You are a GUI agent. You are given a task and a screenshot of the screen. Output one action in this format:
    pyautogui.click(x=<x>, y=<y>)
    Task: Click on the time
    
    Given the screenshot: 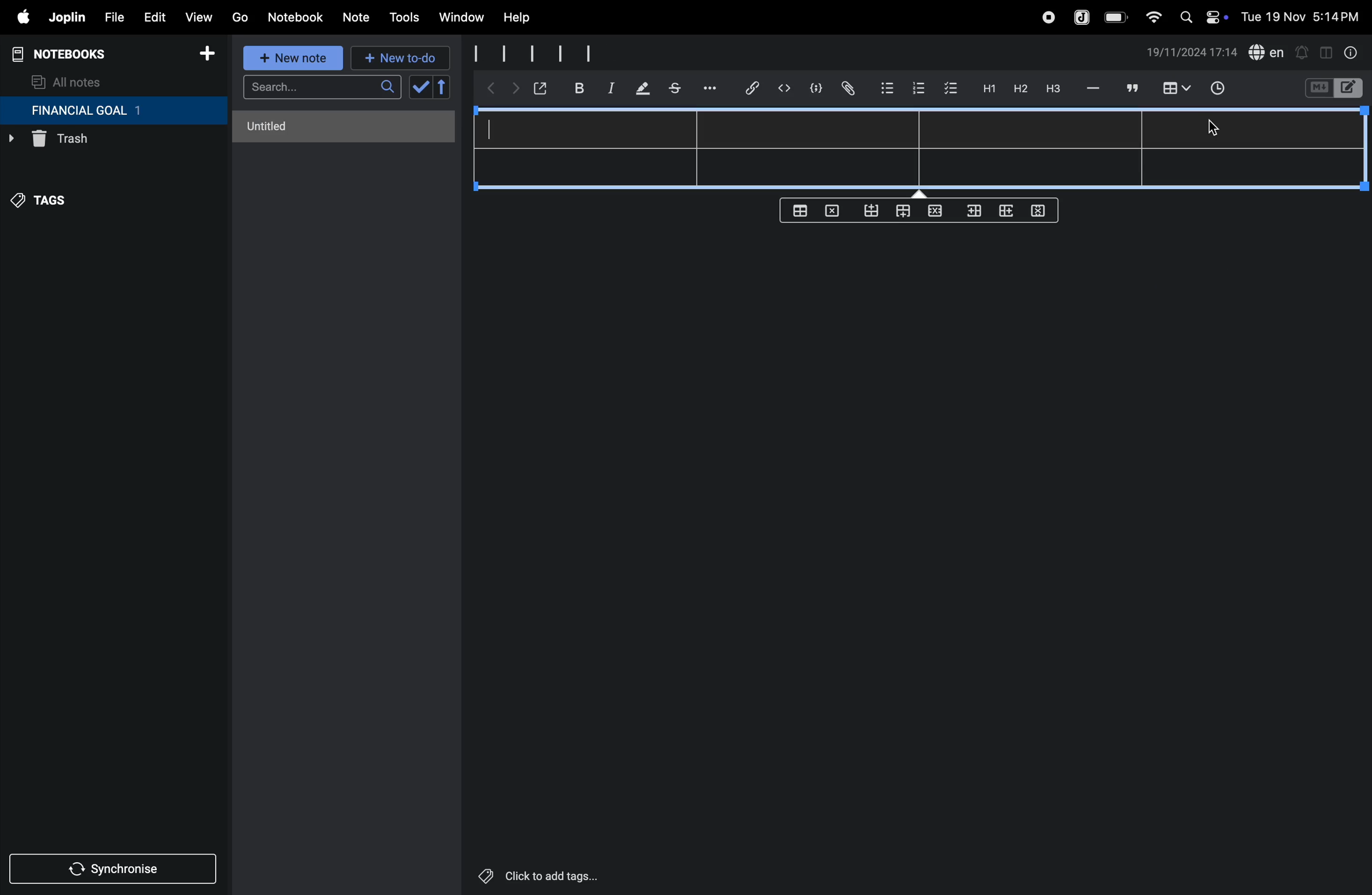 What is the action you would take?
    pyautogui.click(x=1225, y=89)
    